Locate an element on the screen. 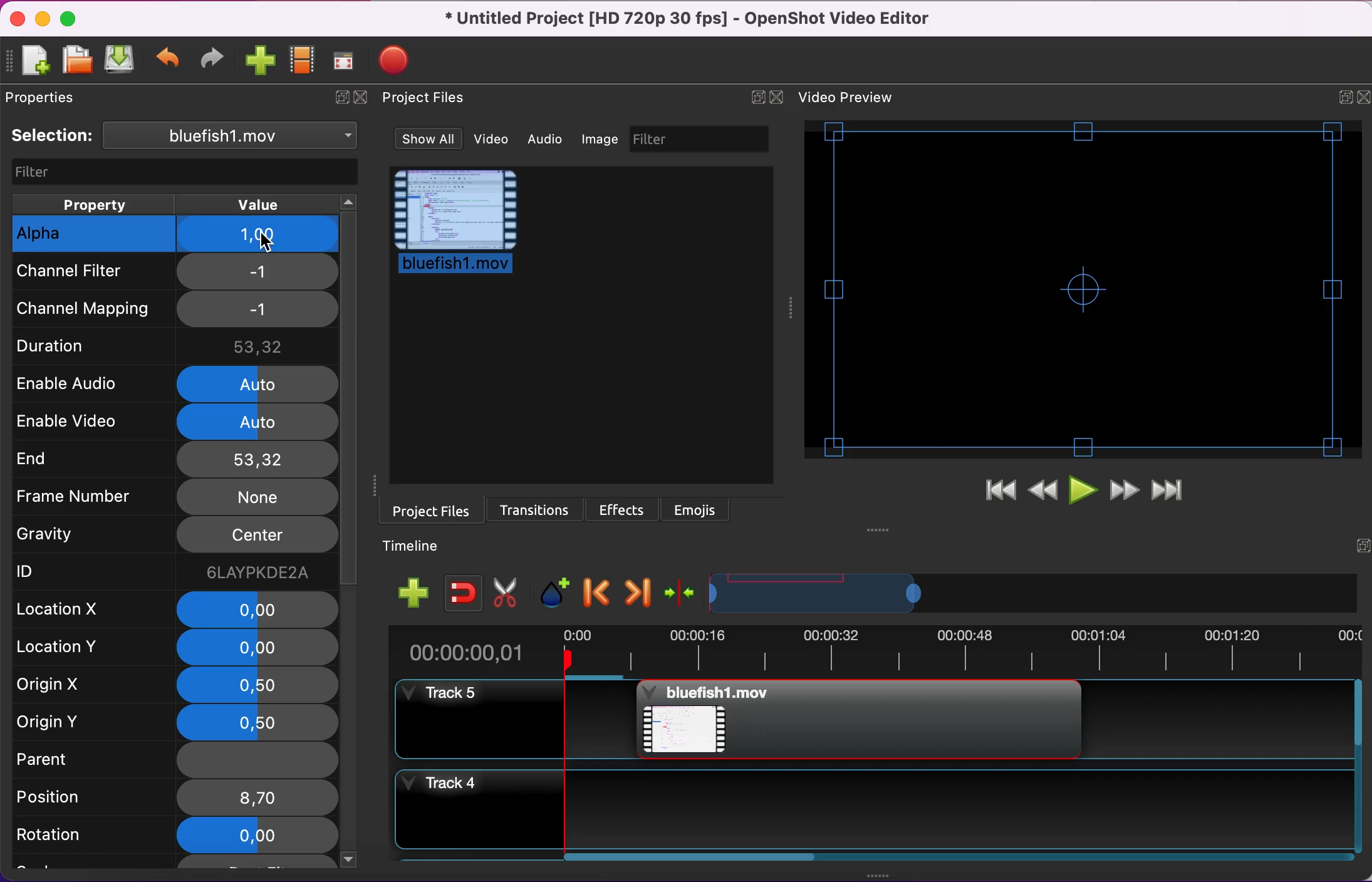  rotation is located at coordinates (70, 838).